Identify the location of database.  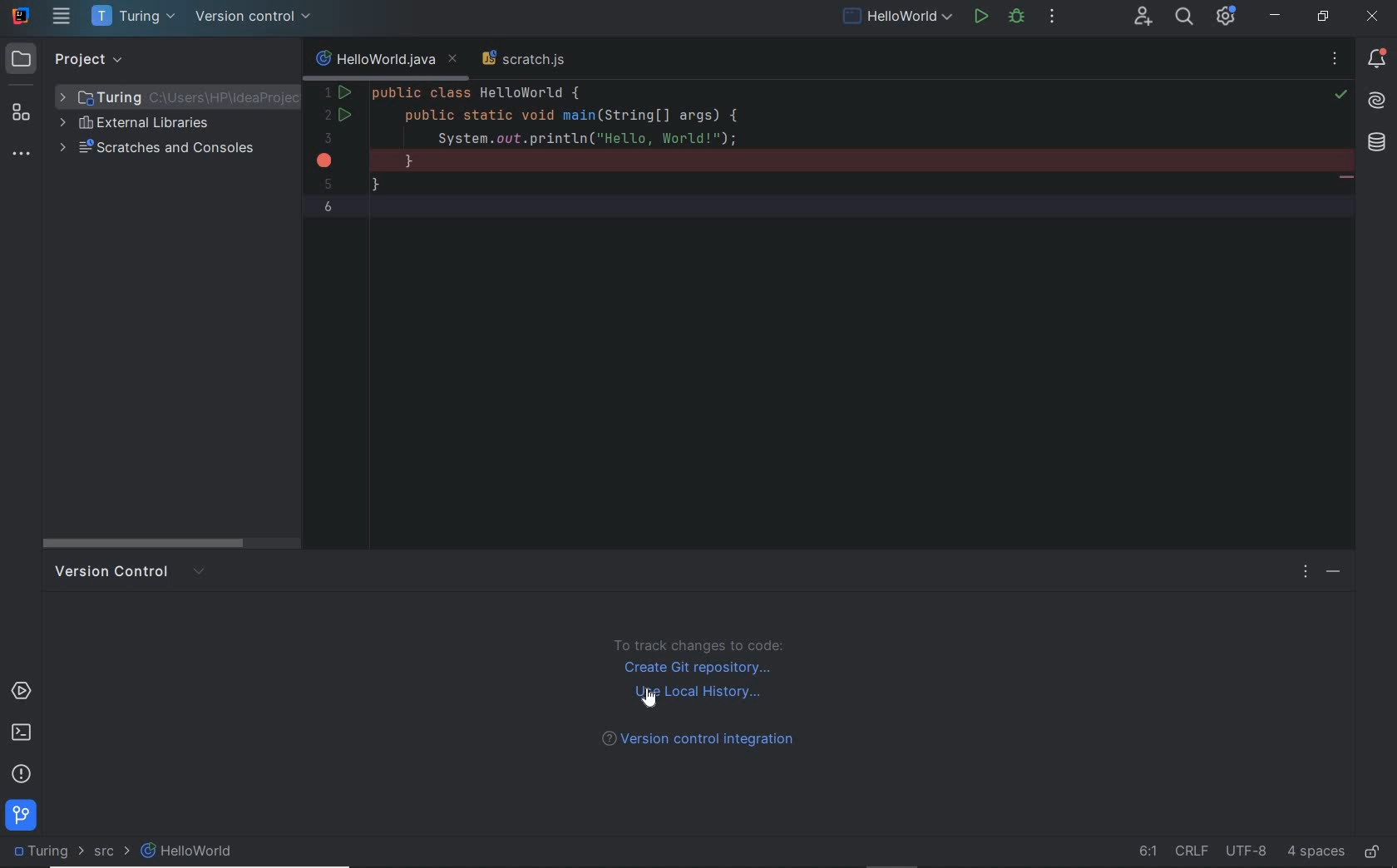
(1375, 143).